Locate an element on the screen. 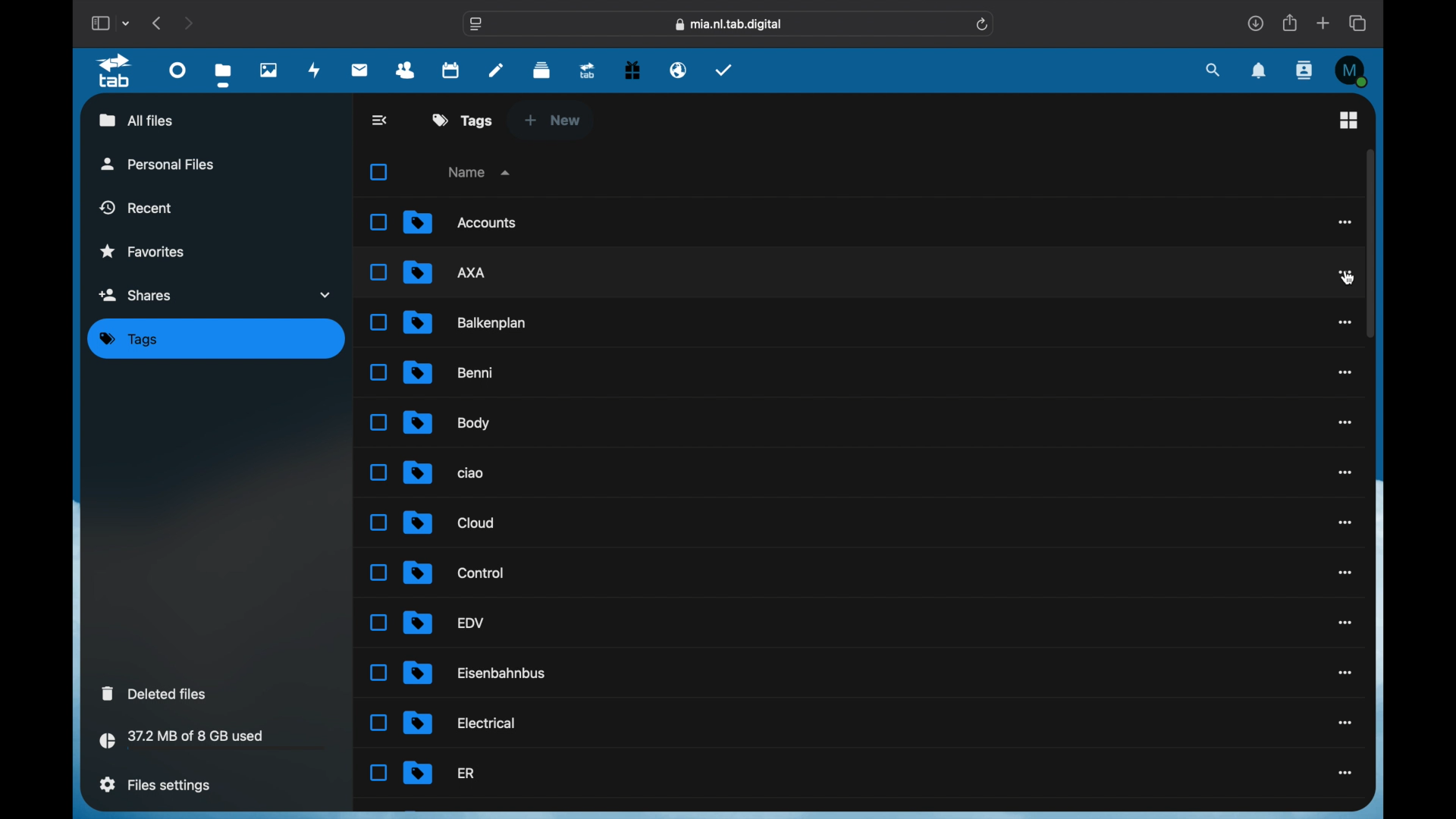 This screenshot has height=819, width=1456. recent is located at coordinates (137, 207).